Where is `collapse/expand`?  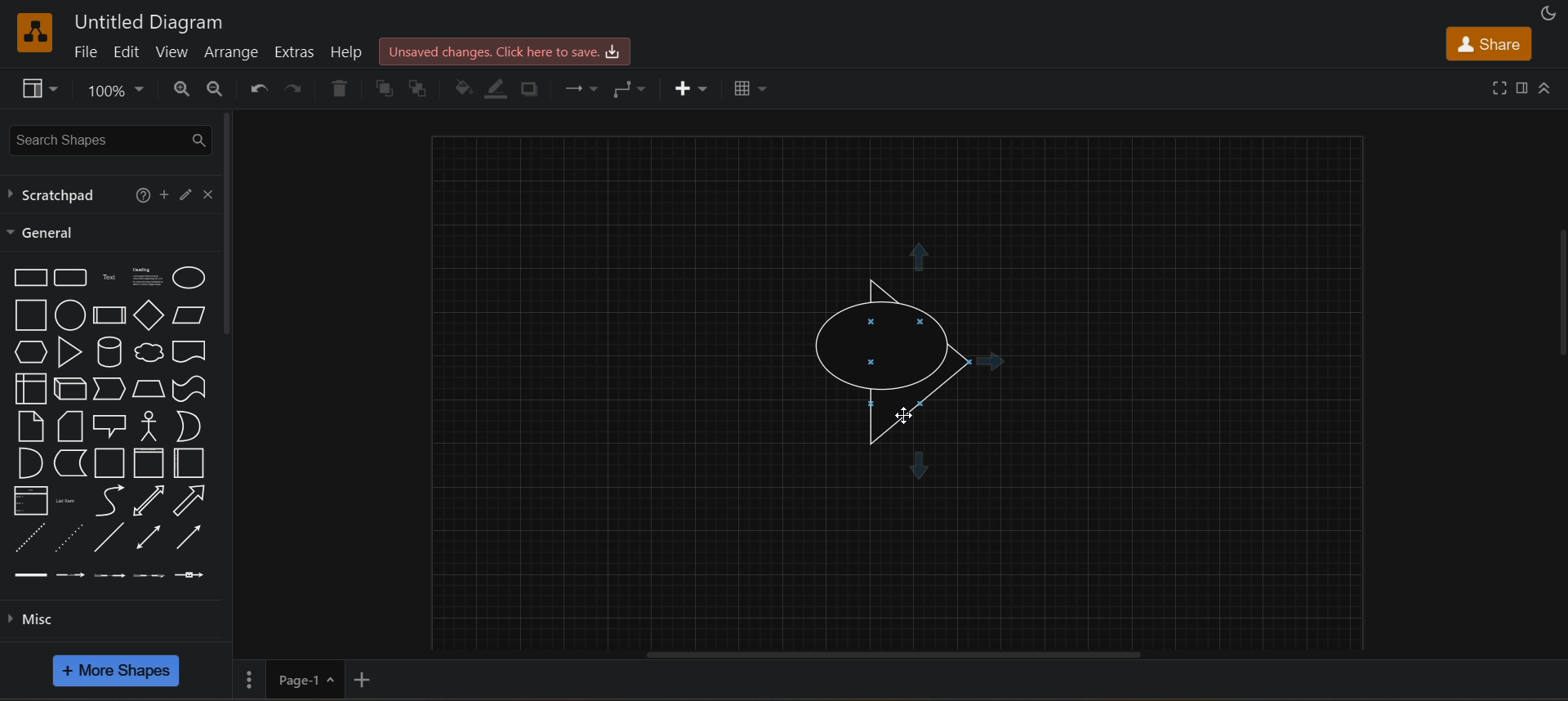
collapse/expand is located at coordinates (1546, 85).